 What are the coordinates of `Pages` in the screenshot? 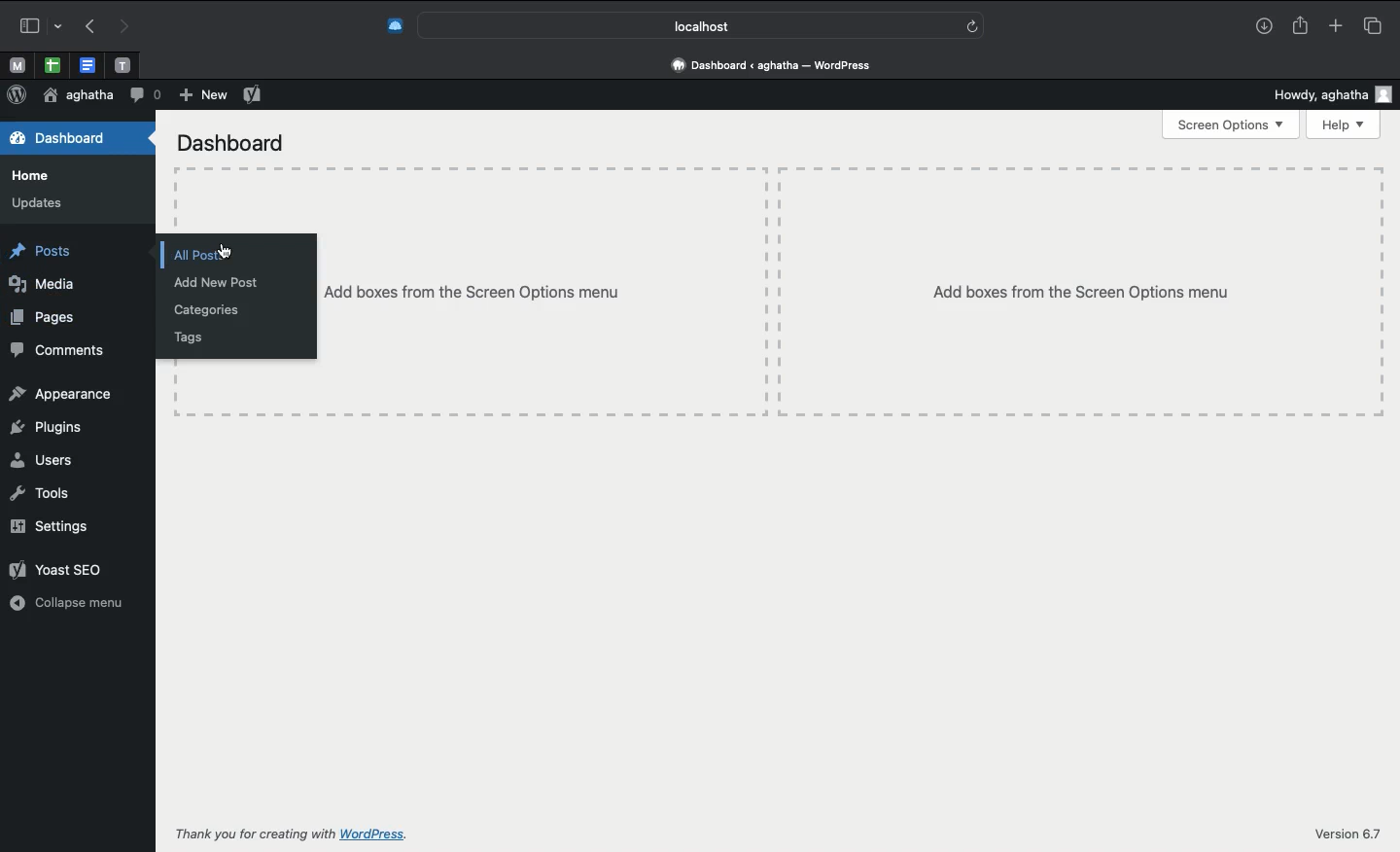 It's located at (43, 317).